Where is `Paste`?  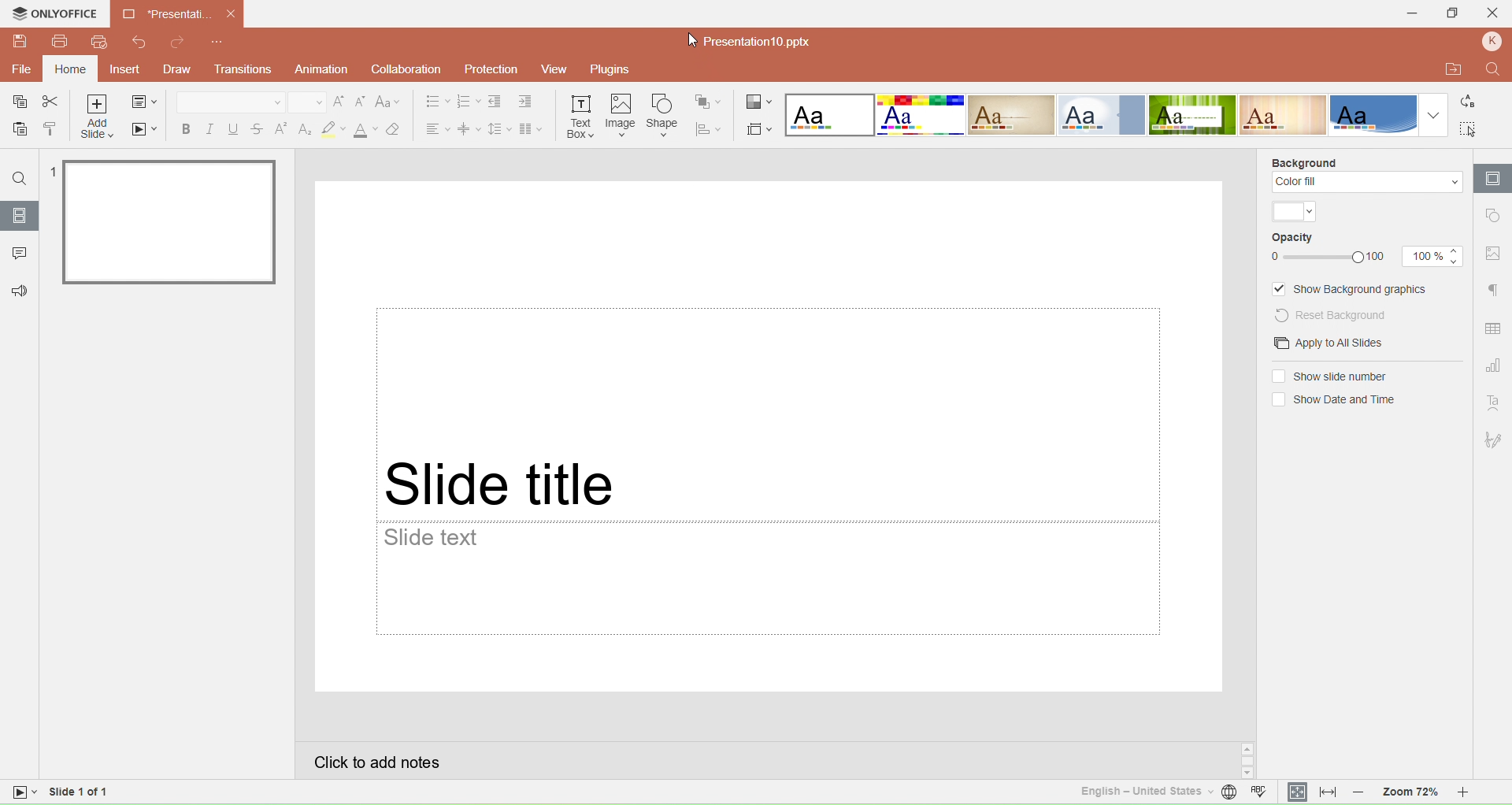
Paste is located at coordinates (17, 130).